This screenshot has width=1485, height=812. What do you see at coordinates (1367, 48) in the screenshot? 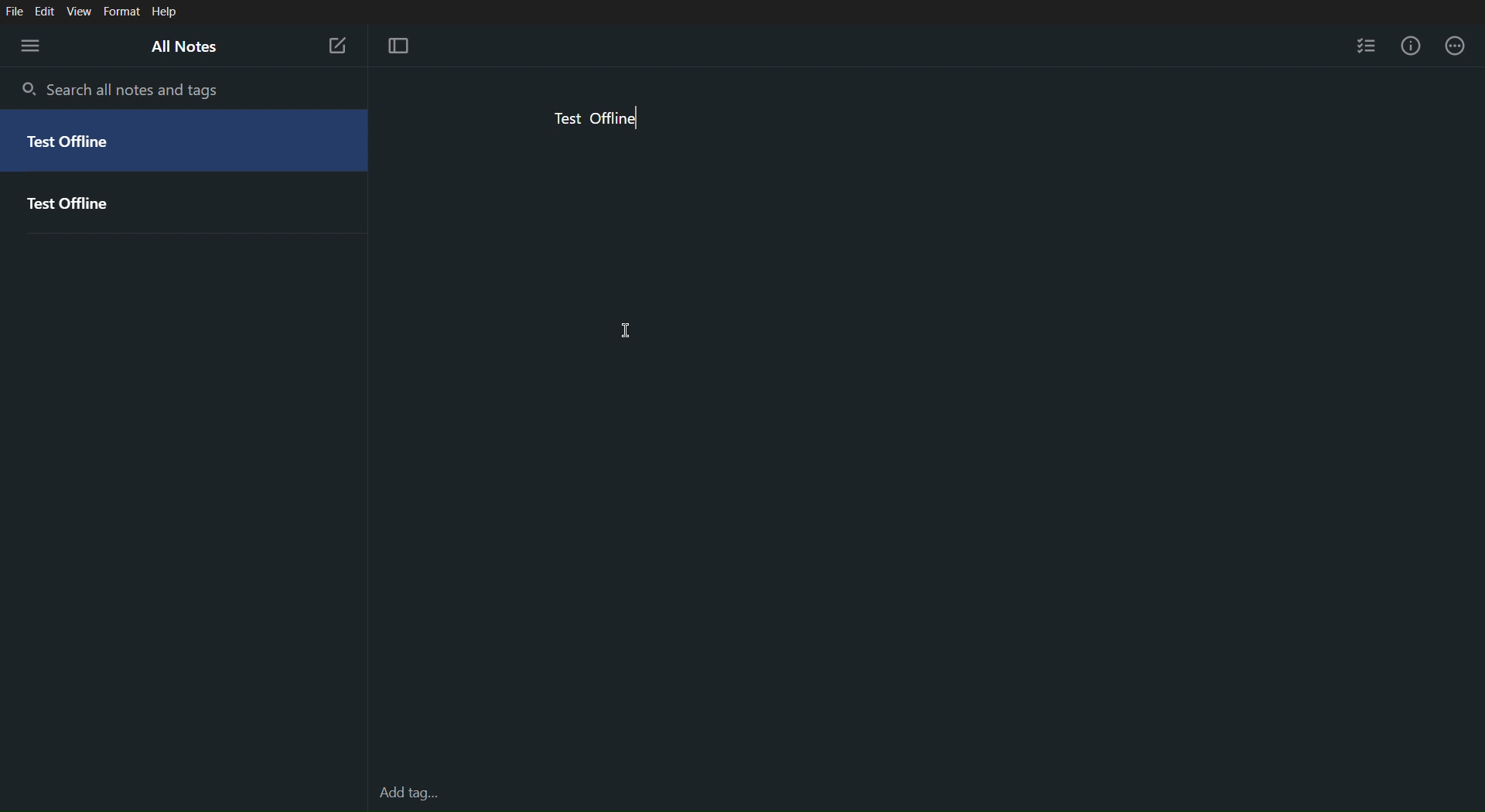
I see `Checklist` at bounding box center [1367, 48].